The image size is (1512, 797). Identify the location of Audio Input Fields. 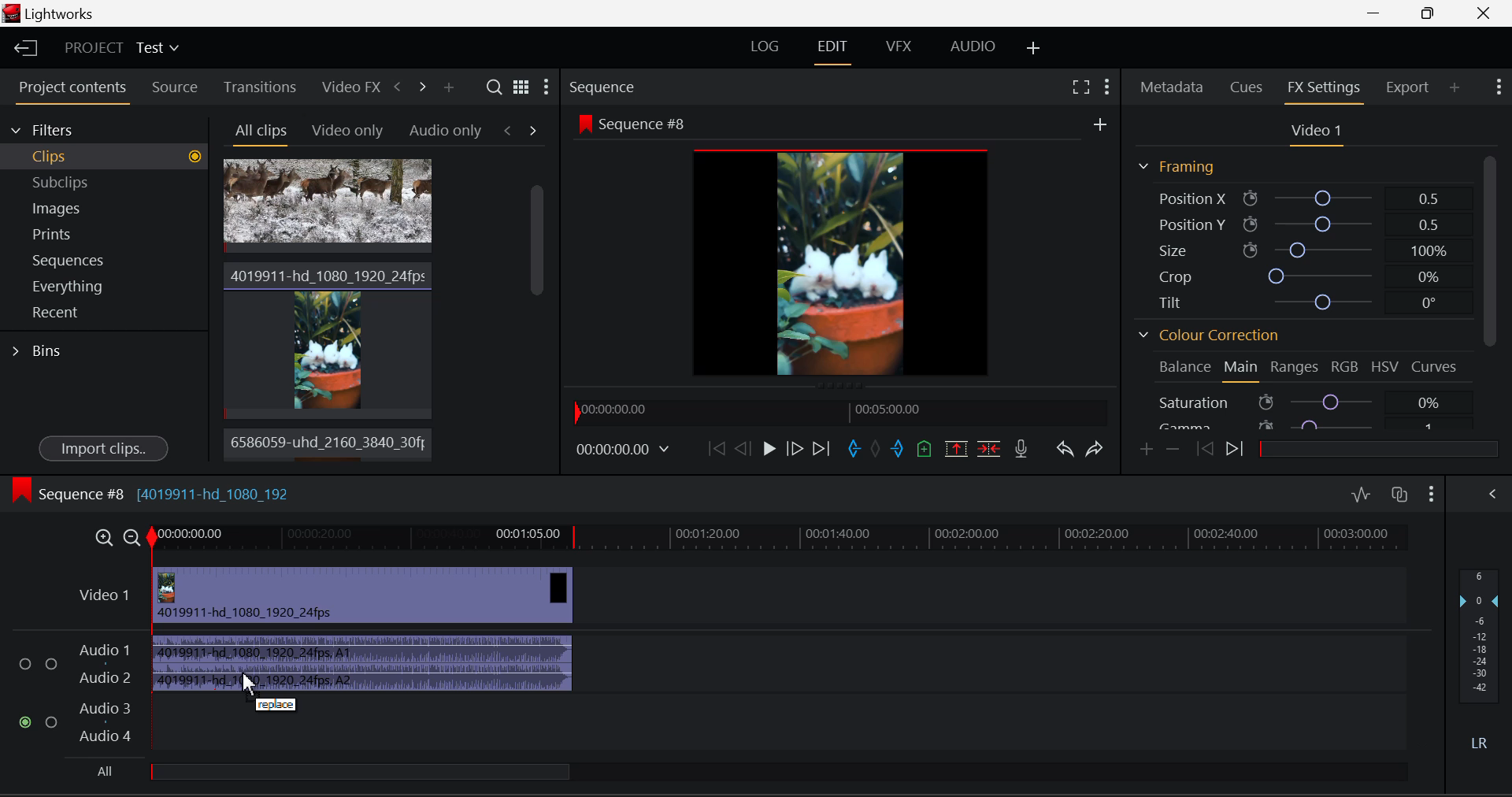
(74, 695).